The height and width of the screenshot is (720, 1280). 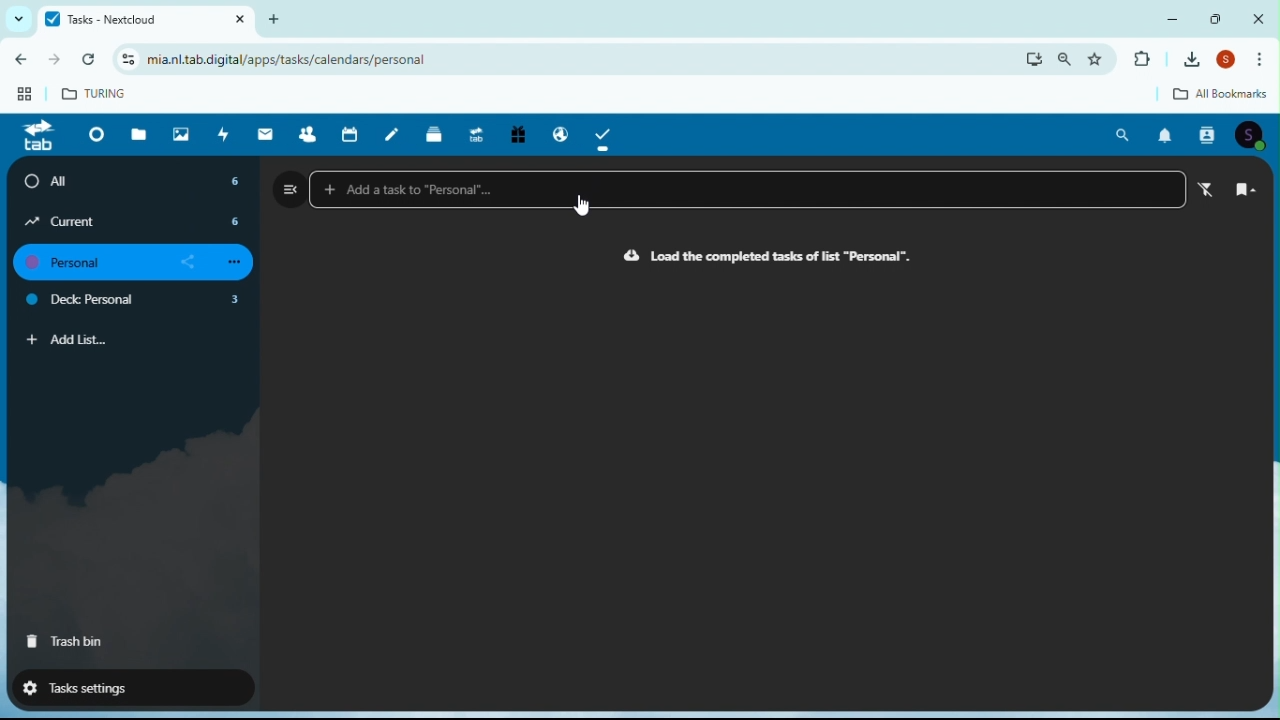 I want to click on deck, so click(x=436, y=133).